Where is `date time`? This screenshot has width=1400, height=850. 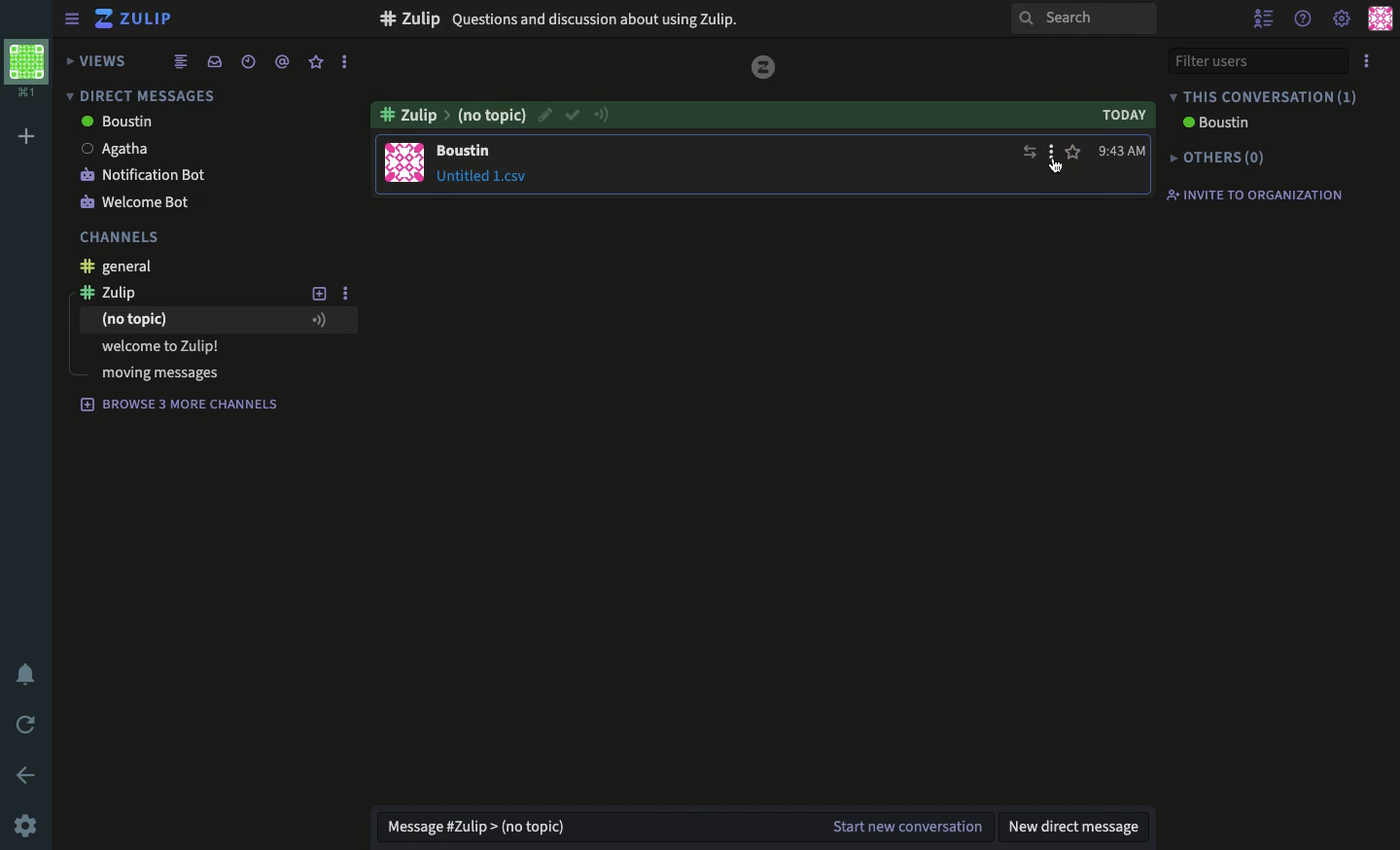
date time is located at coordinates (249, 61).